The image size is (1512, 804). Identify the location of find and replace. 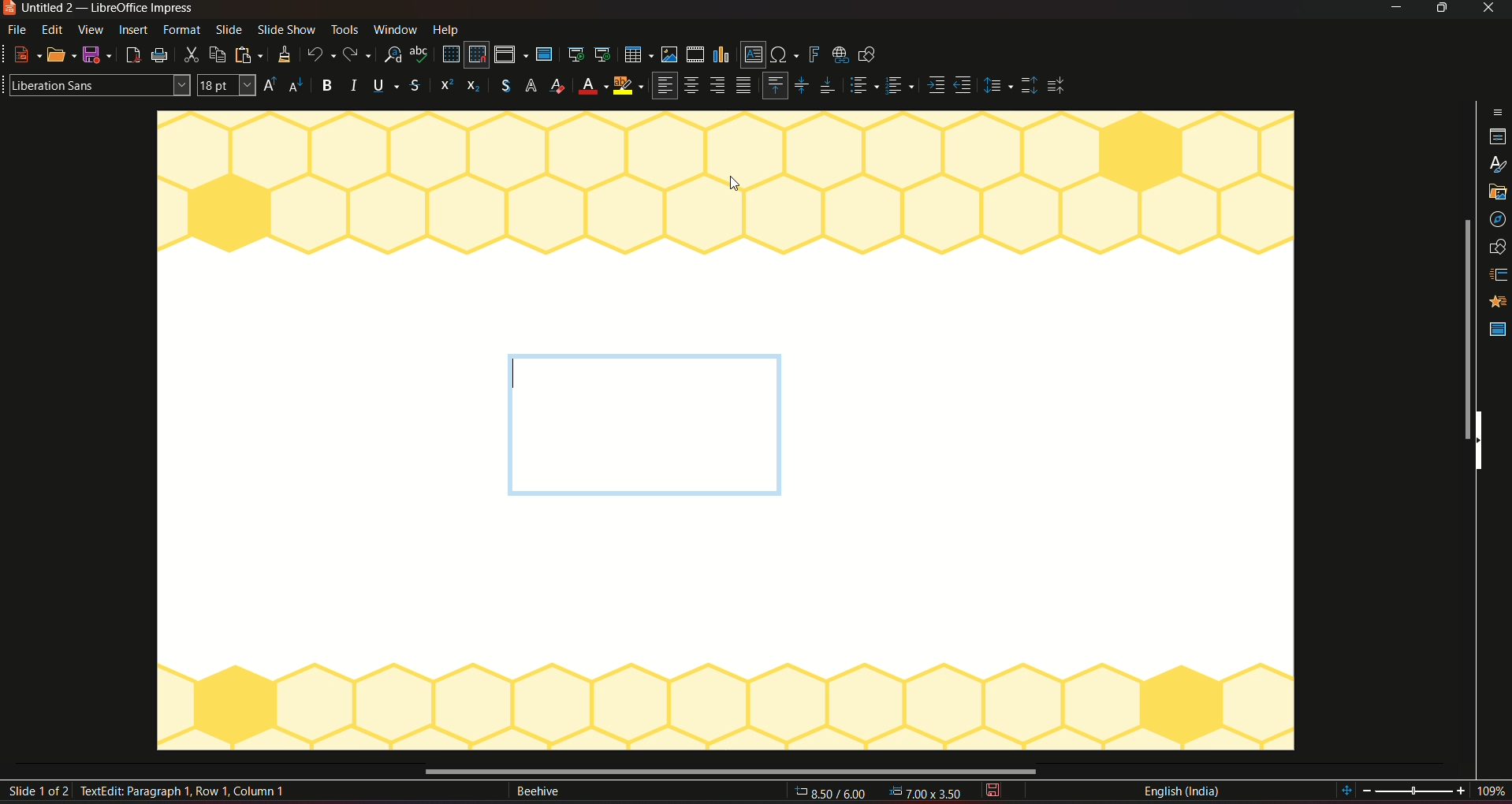
(394, 55).